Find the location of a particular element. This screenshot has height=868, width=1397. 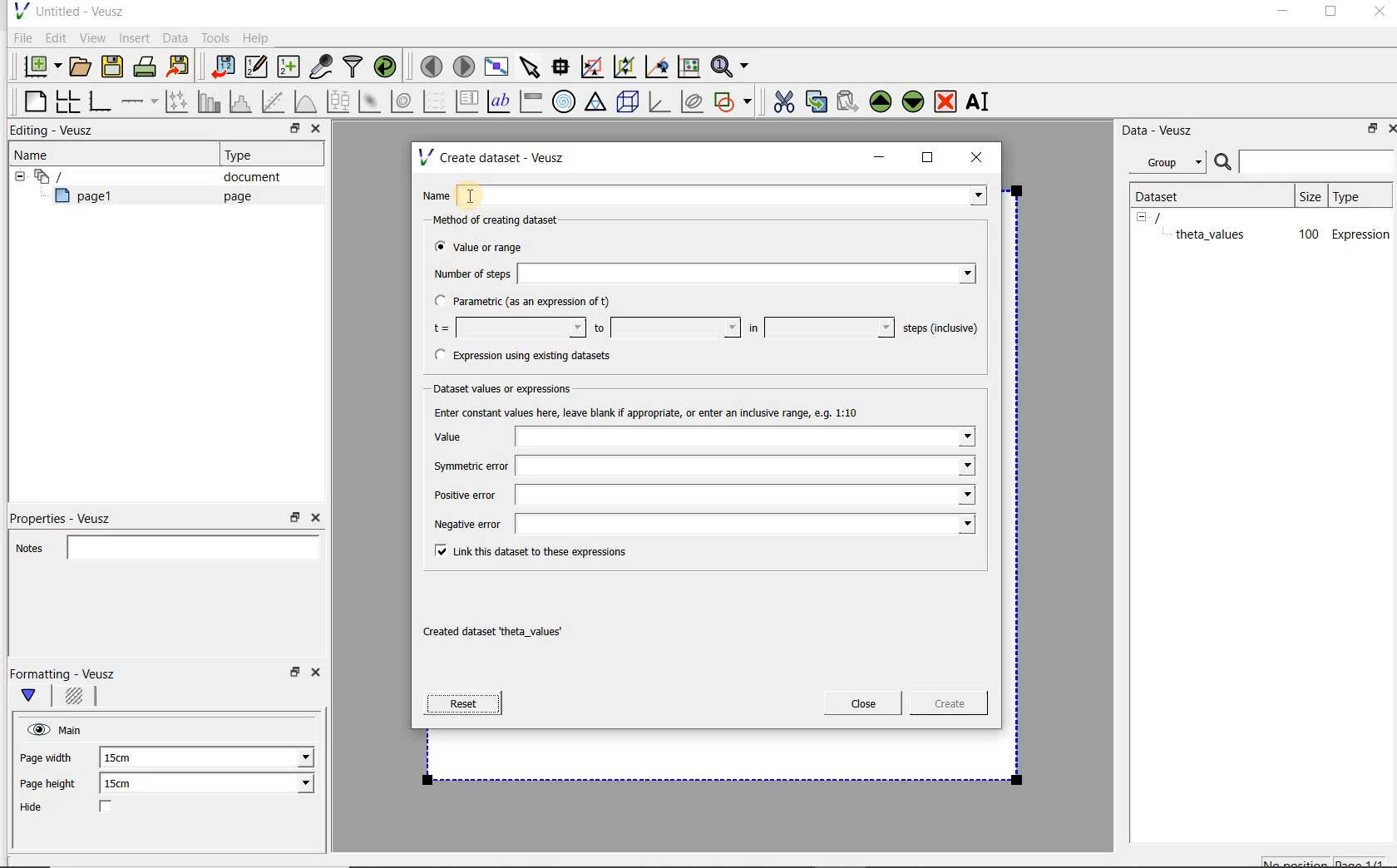

Type is located at coordinates (1358, 195).